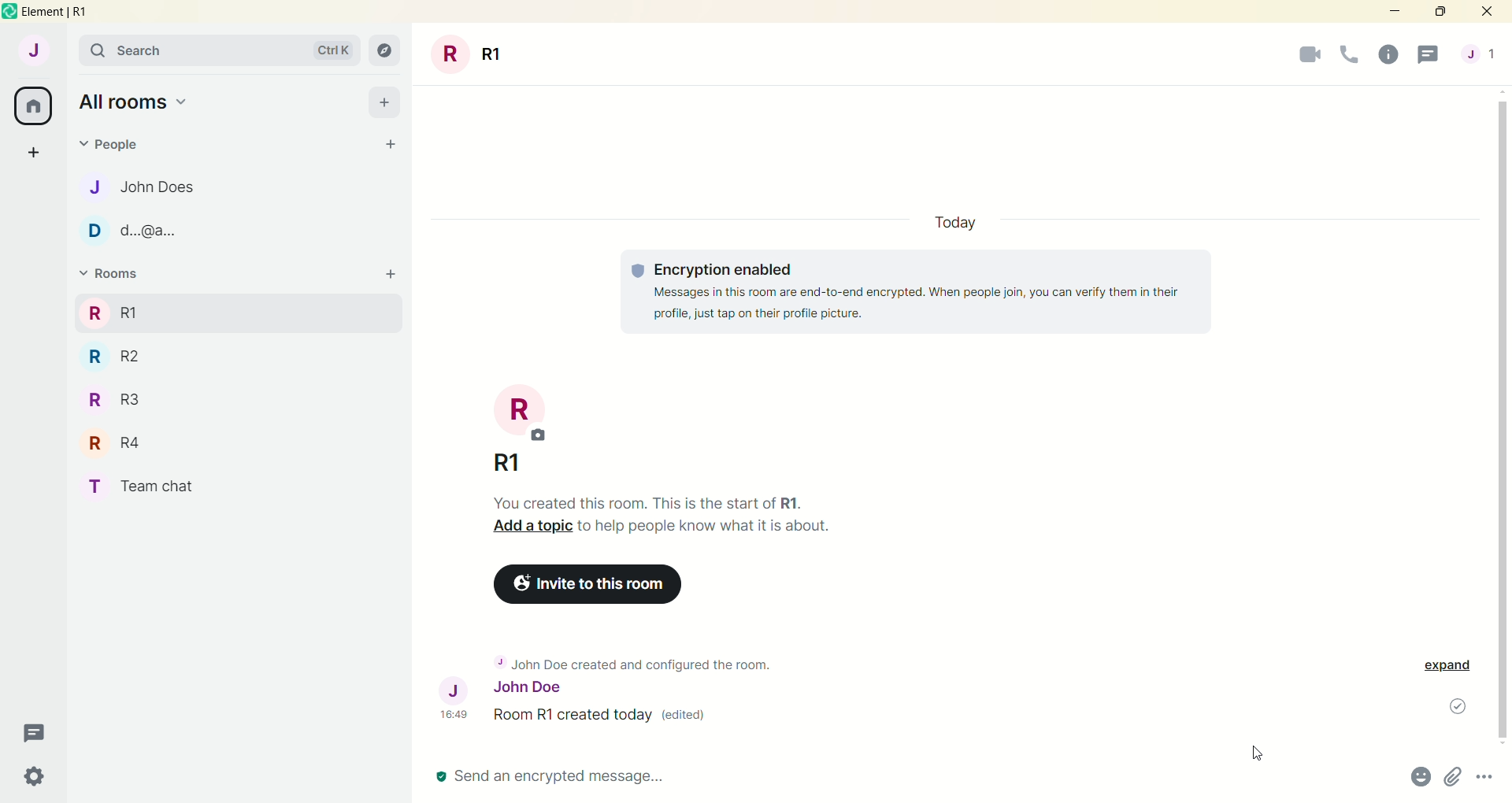 Image resolution: width=1512 pixels, height=803 pixels. Describe the element at coordinates (1392, 13) in the screenshot. I see `minimize` at that location.